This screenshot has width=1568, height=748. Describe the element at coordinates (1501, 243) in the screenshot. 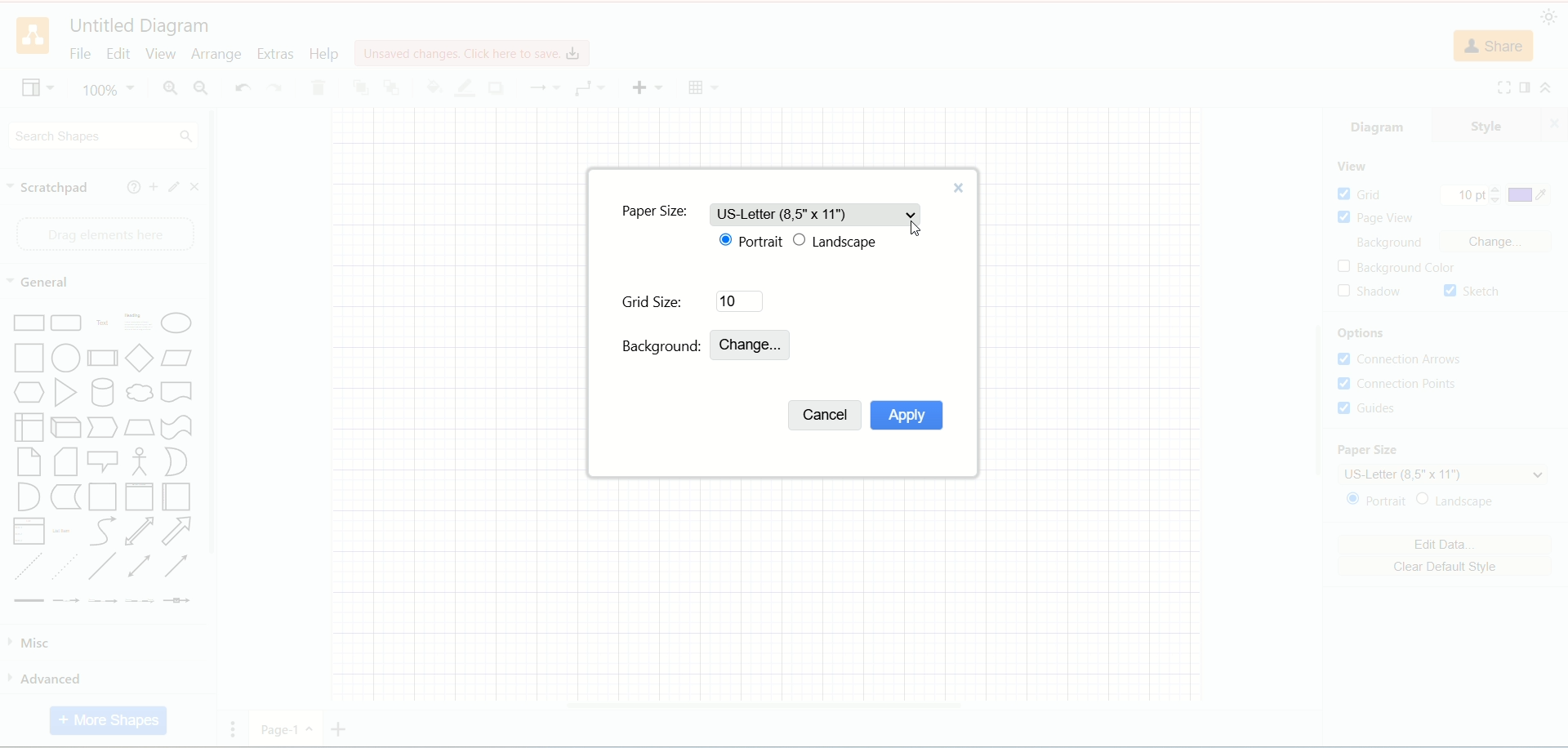

I see `change` at that location.